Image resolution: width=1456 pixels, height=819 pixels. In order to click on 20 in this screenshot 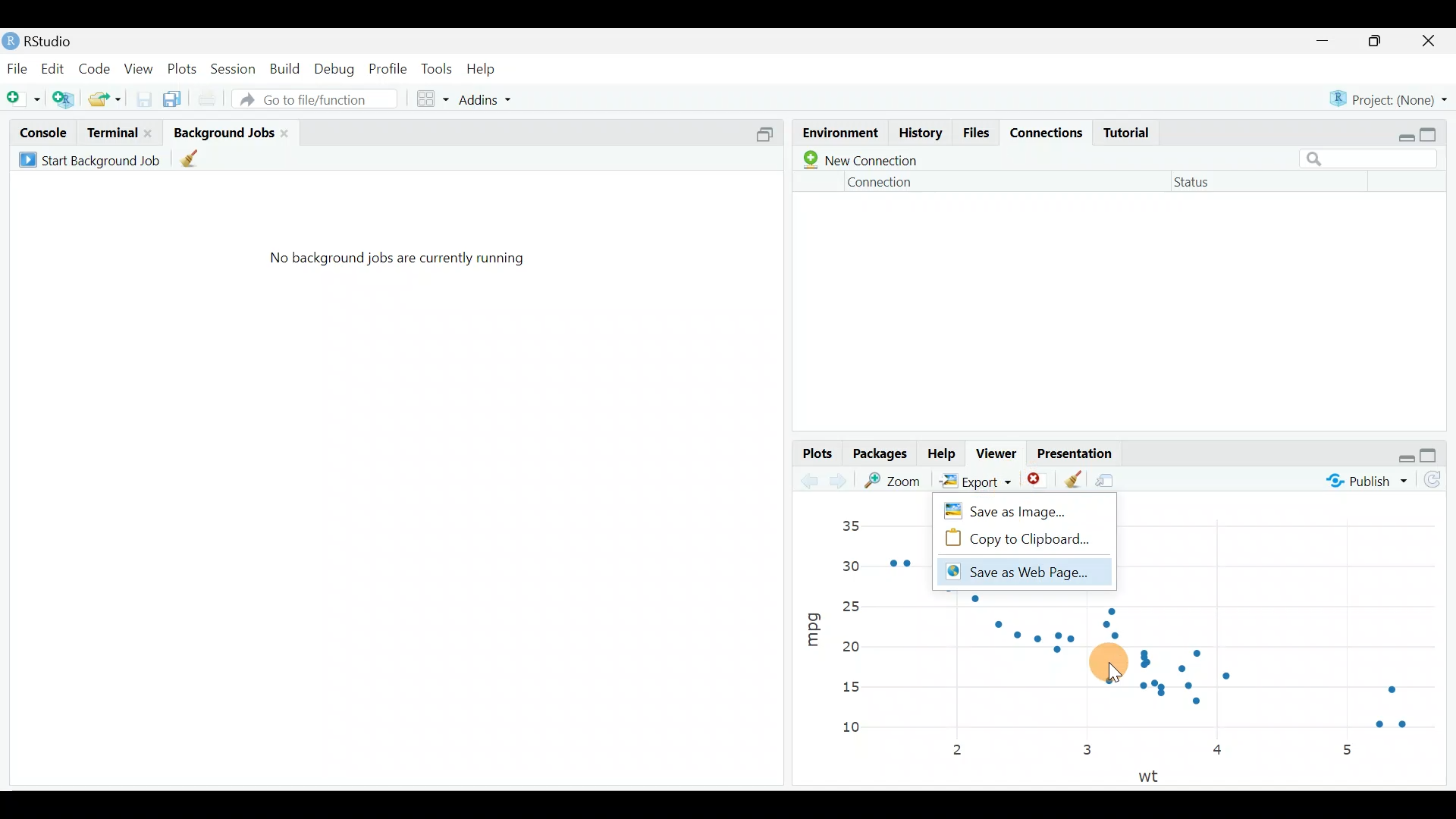, I will do `click(850, 646)`.